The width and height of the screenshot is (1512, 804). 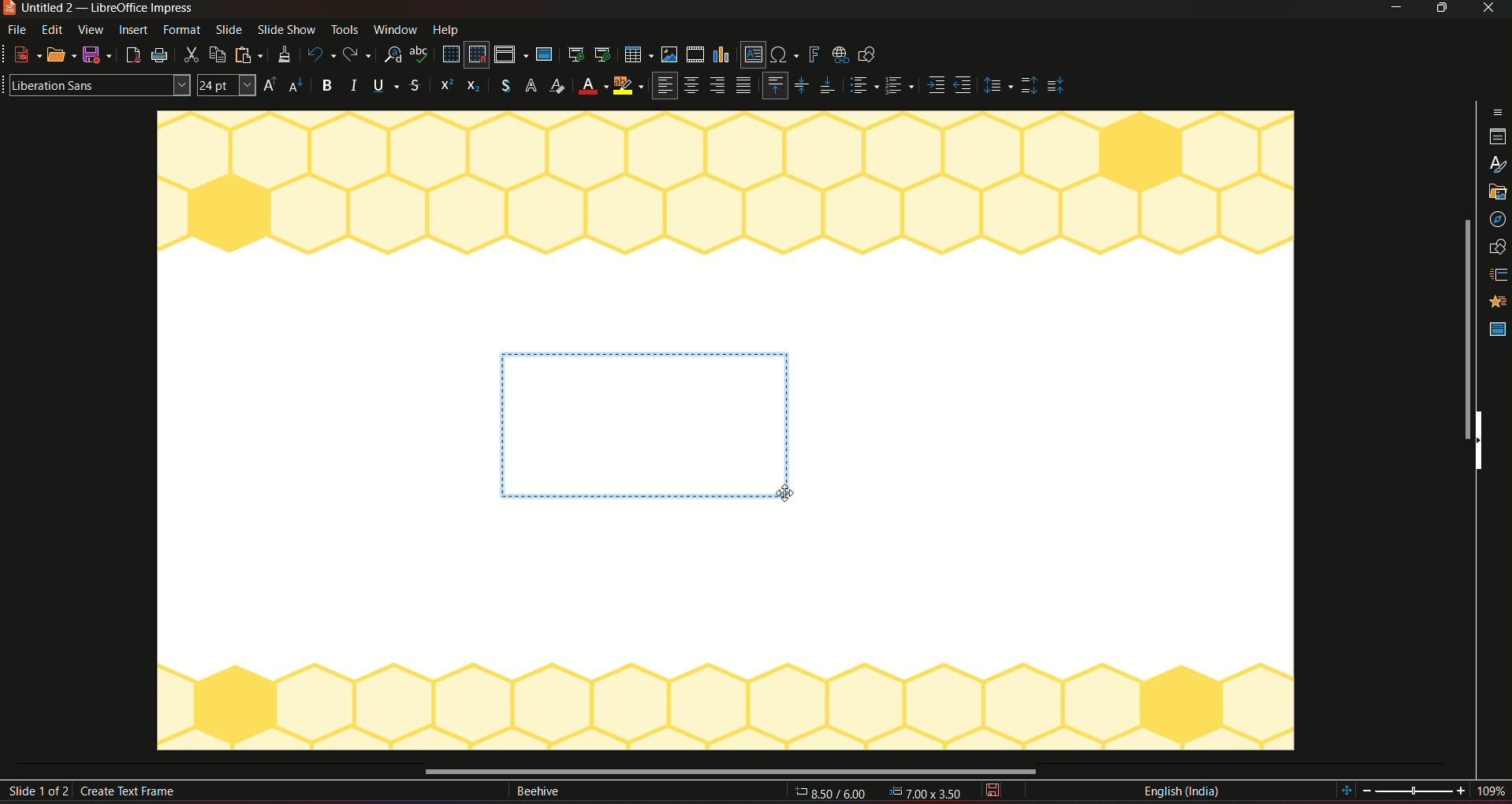 I want to click on Align side 1, so click(x=935, y=86).